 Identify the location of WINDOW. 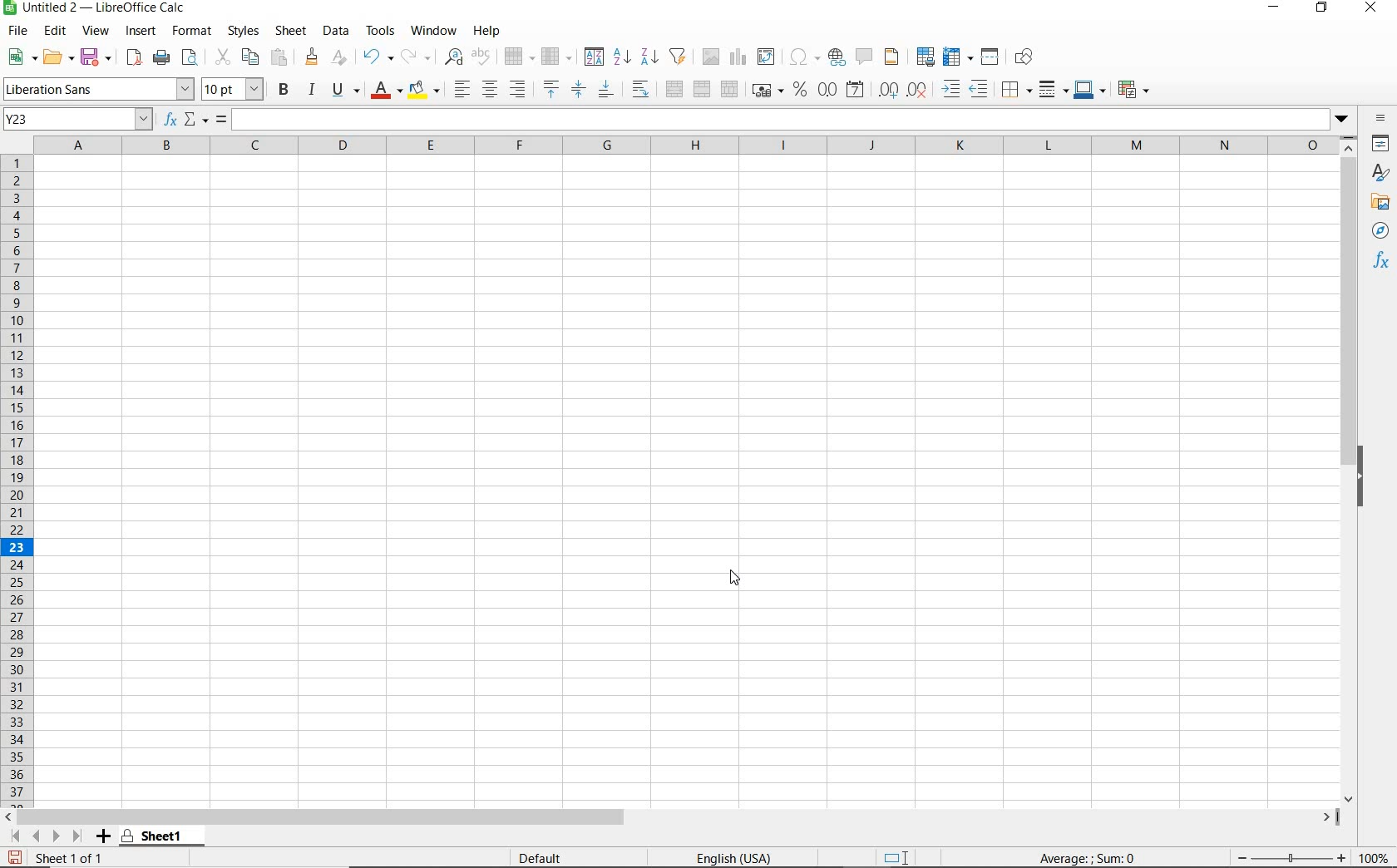
(432, 31).